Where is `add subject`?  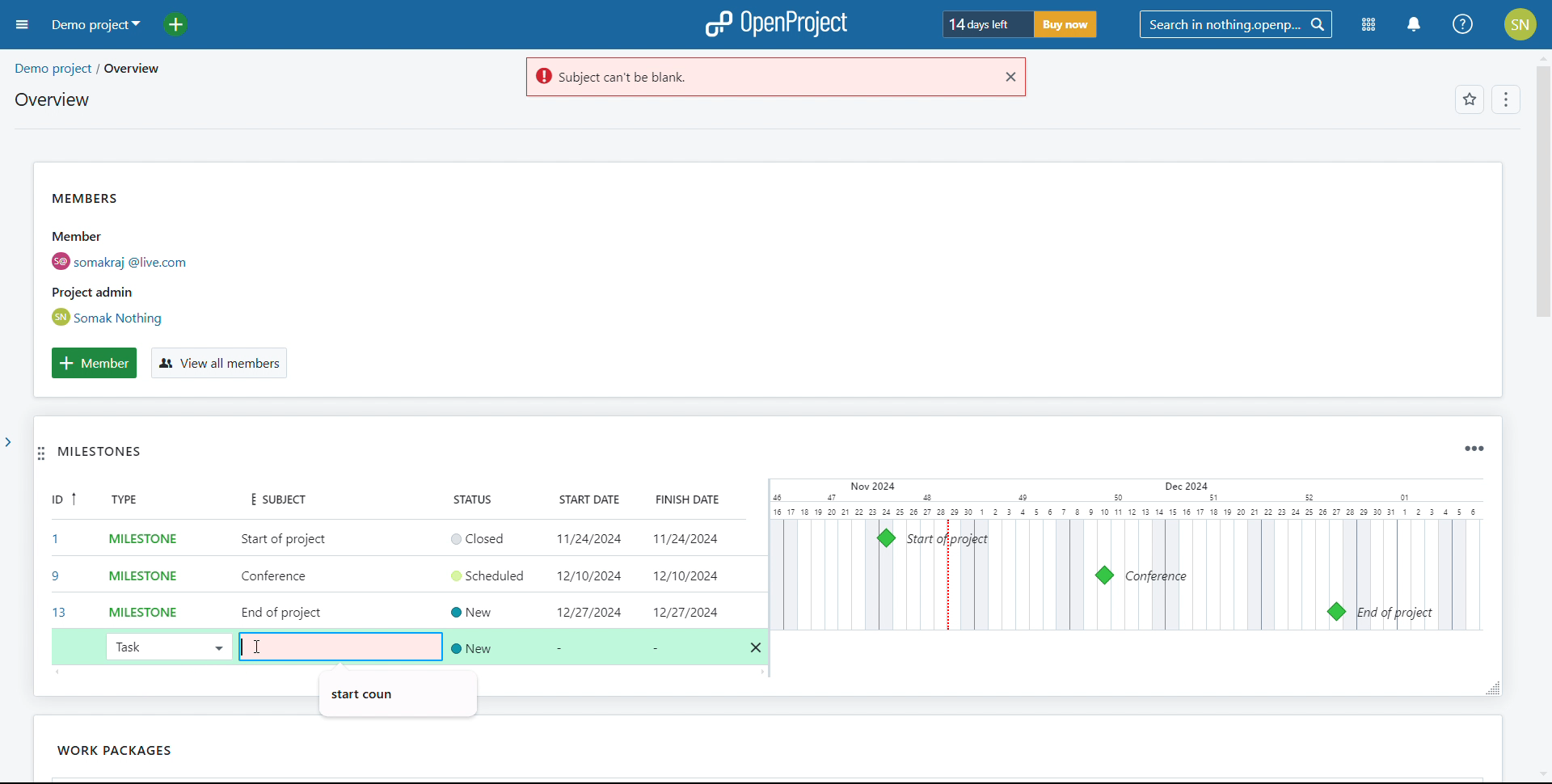
add subject is located at coordinates (285, 576).